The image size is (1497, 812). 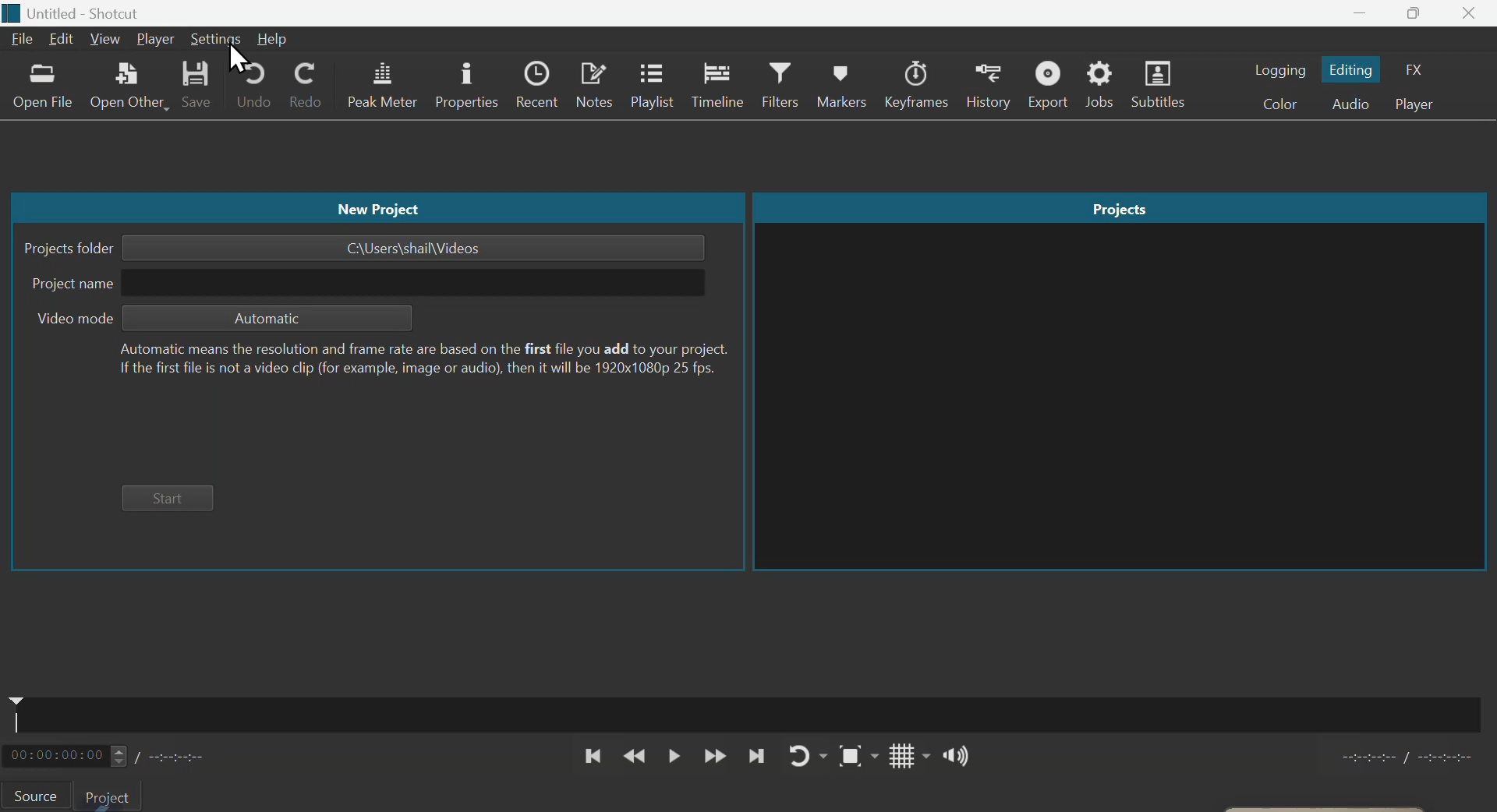 I want to click on Export, so click(x=1049, y=84).